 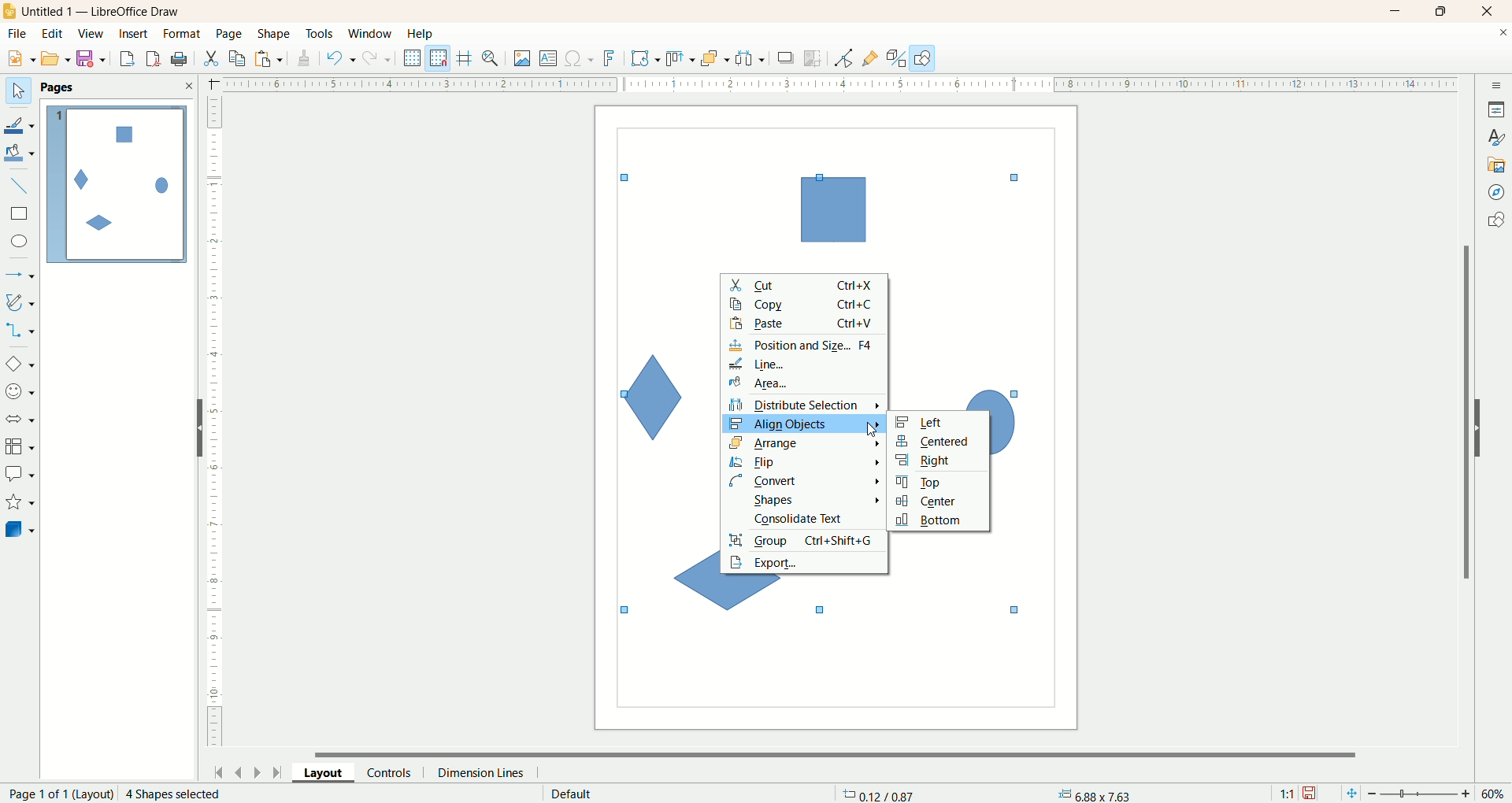 What do you see at coordinates (896, 58) in the screenshot?
I see `toggle extrusion` at bounding box center [896, 58].